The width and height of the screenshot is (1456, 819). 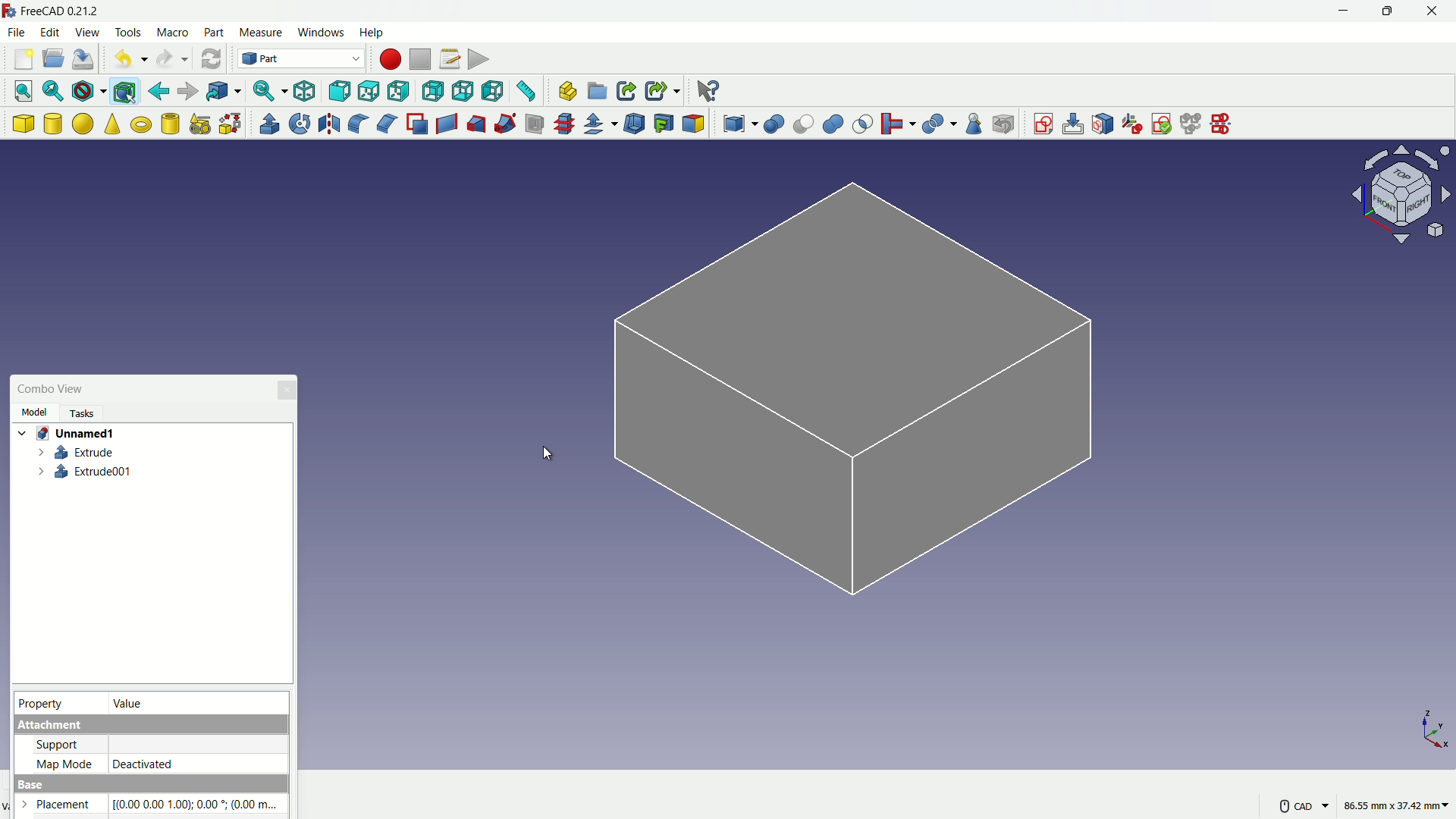 I want to click on front view, so click(x=339, y=90).